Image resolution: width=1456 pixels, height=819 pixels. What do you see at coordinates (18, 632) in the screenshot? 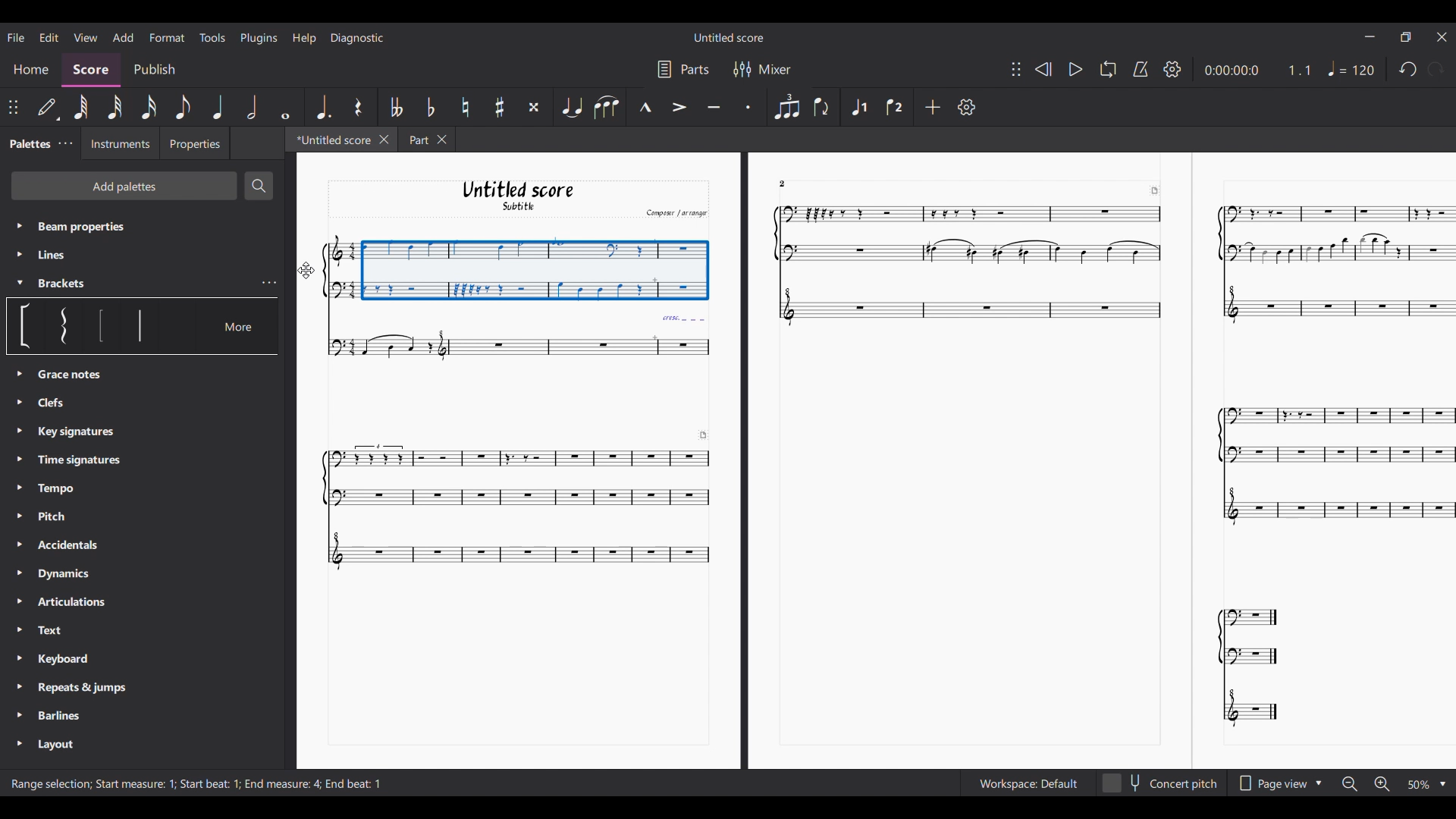
I see `` at bounding box center [18, 632].